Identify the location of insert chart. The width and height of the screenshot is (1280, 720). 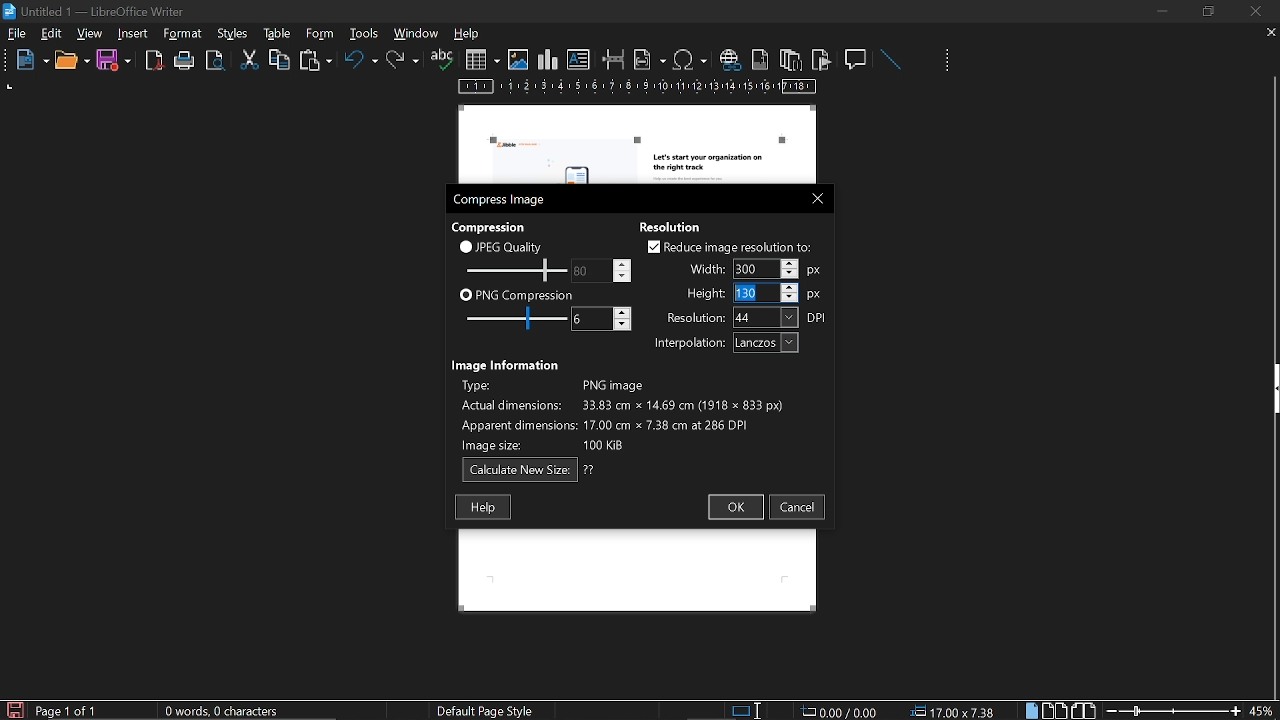
(548, 60).